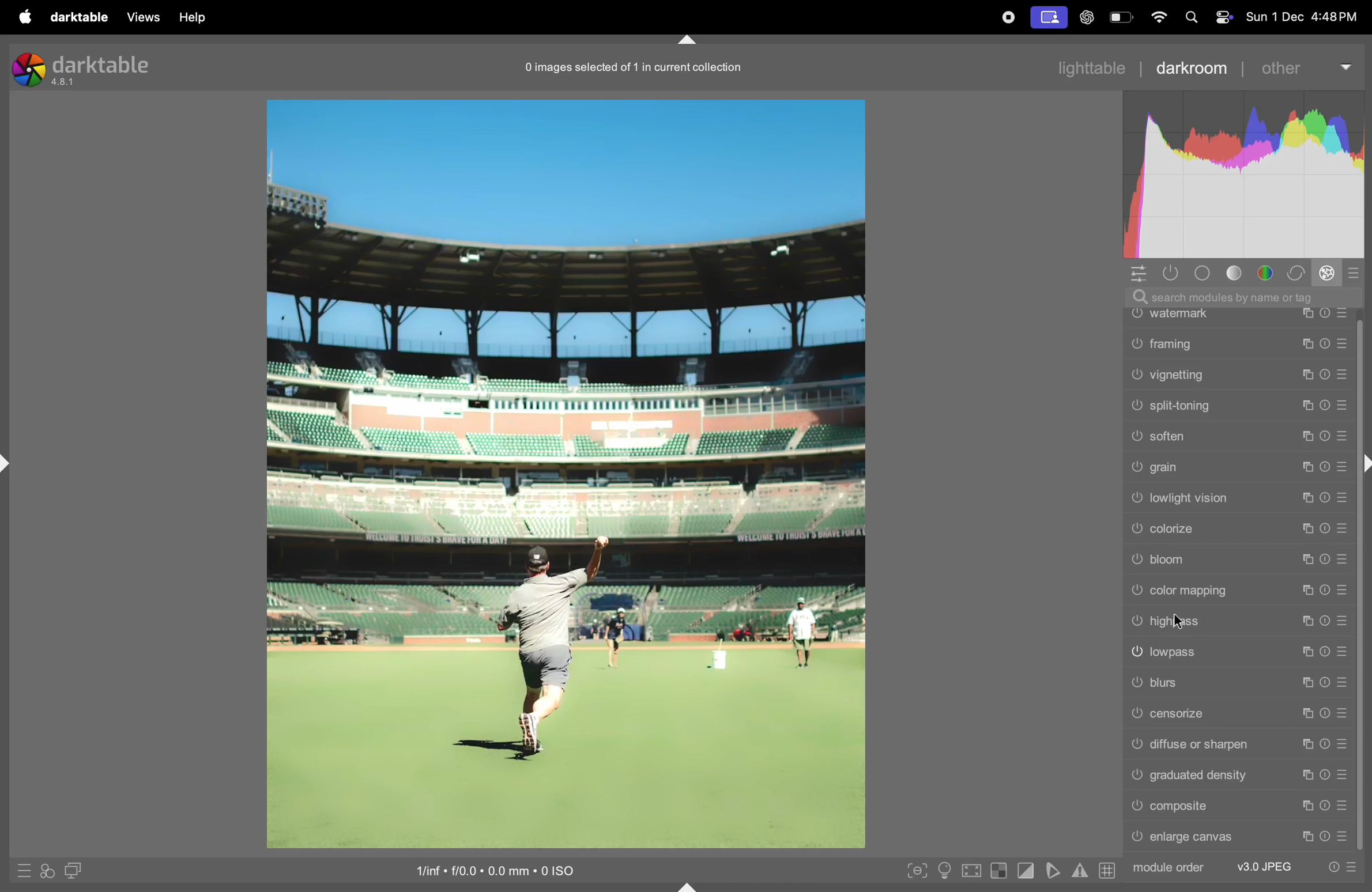 This screenshot has width=1372, height=892. I want to click on iso, so click(507, 870).